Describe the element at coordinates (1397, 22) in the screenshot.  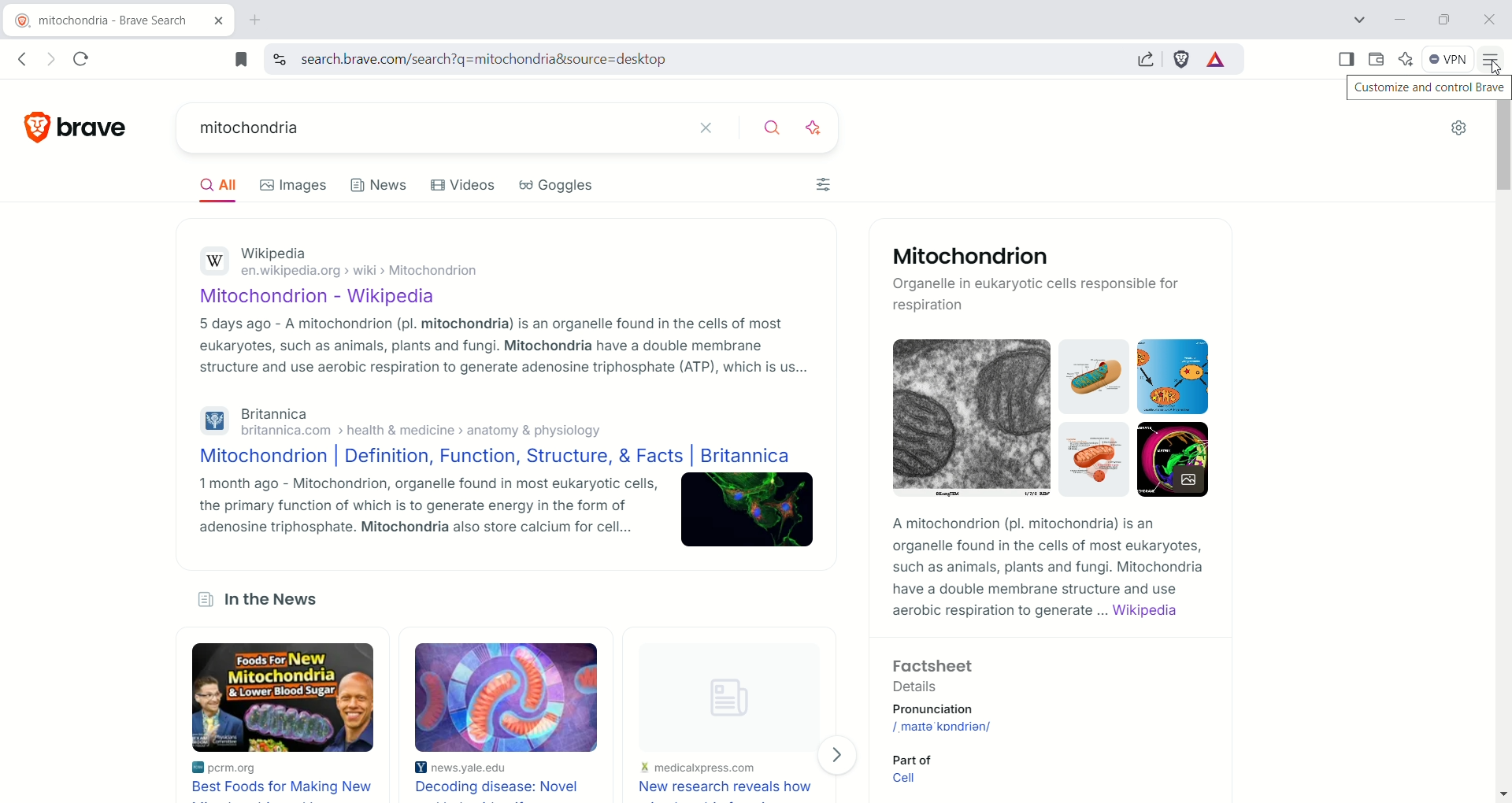
I see `minimize` at that location.